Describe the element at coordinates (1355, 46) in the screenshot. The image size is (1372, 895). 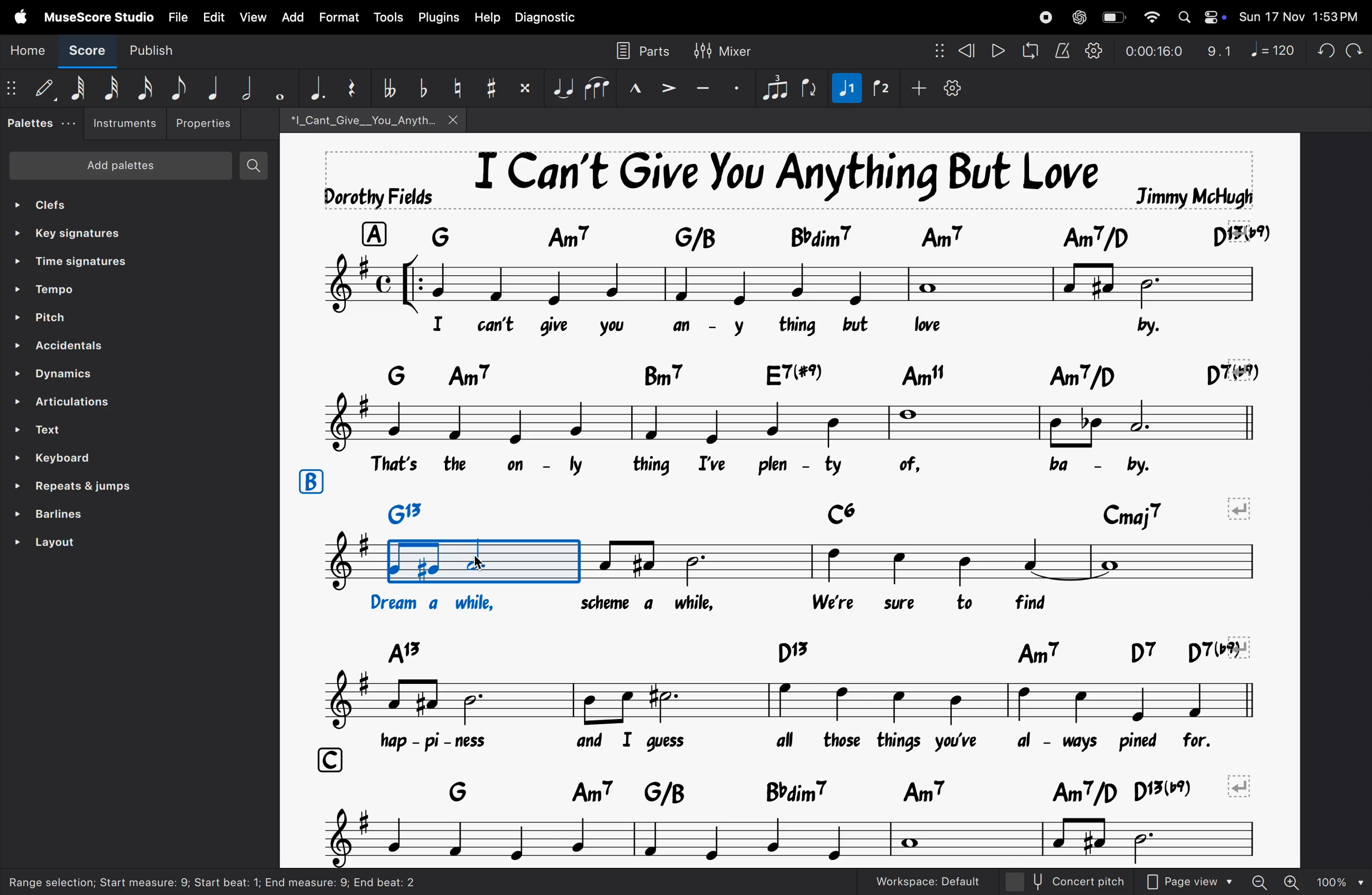
I see `redo` at that location.